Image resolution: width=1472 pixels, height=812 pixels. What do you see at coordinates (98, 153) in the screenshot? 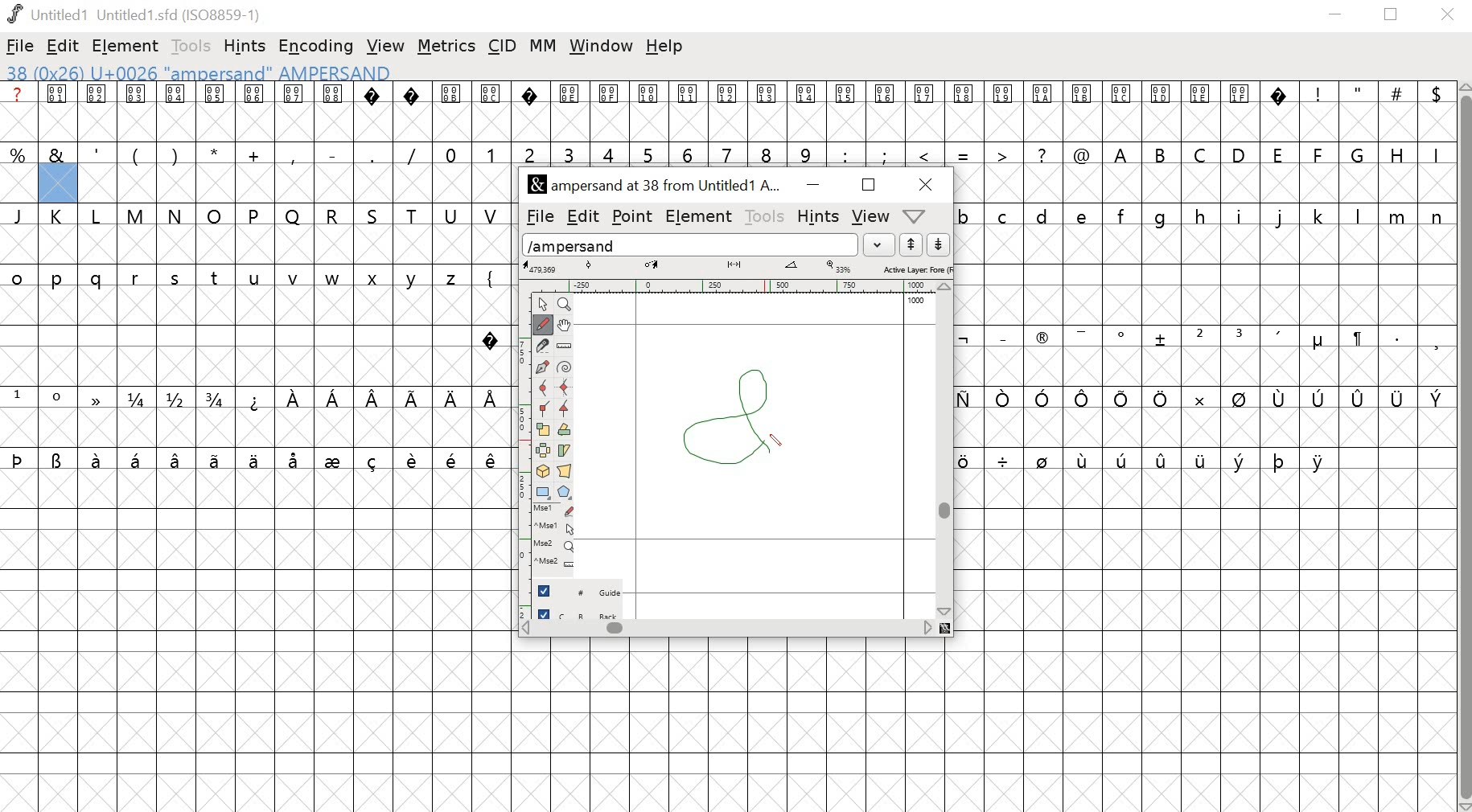
I see `'` at bounding box center [98, 153].